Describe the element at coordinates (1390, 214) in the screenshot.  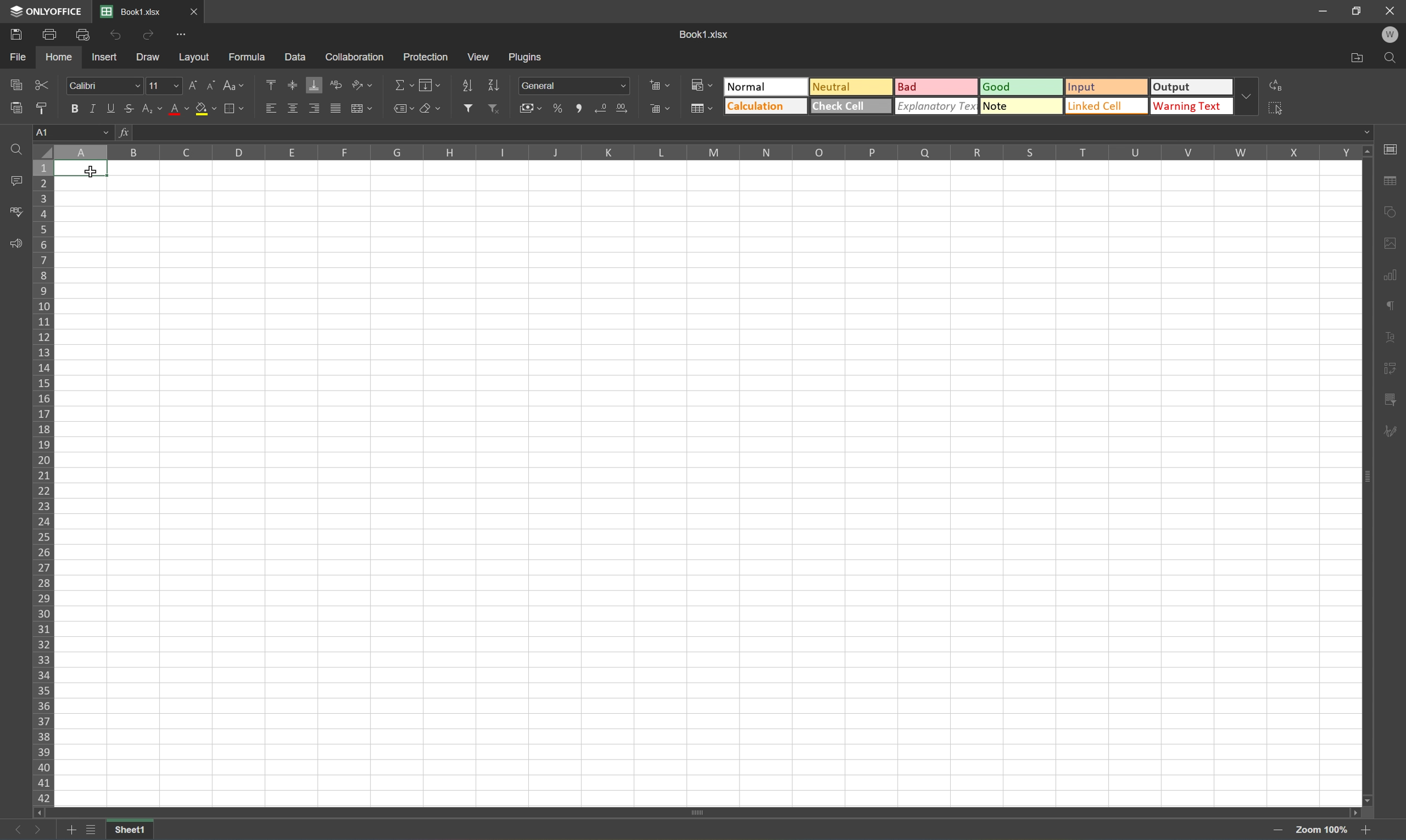
I see `Shape settings` at that location.